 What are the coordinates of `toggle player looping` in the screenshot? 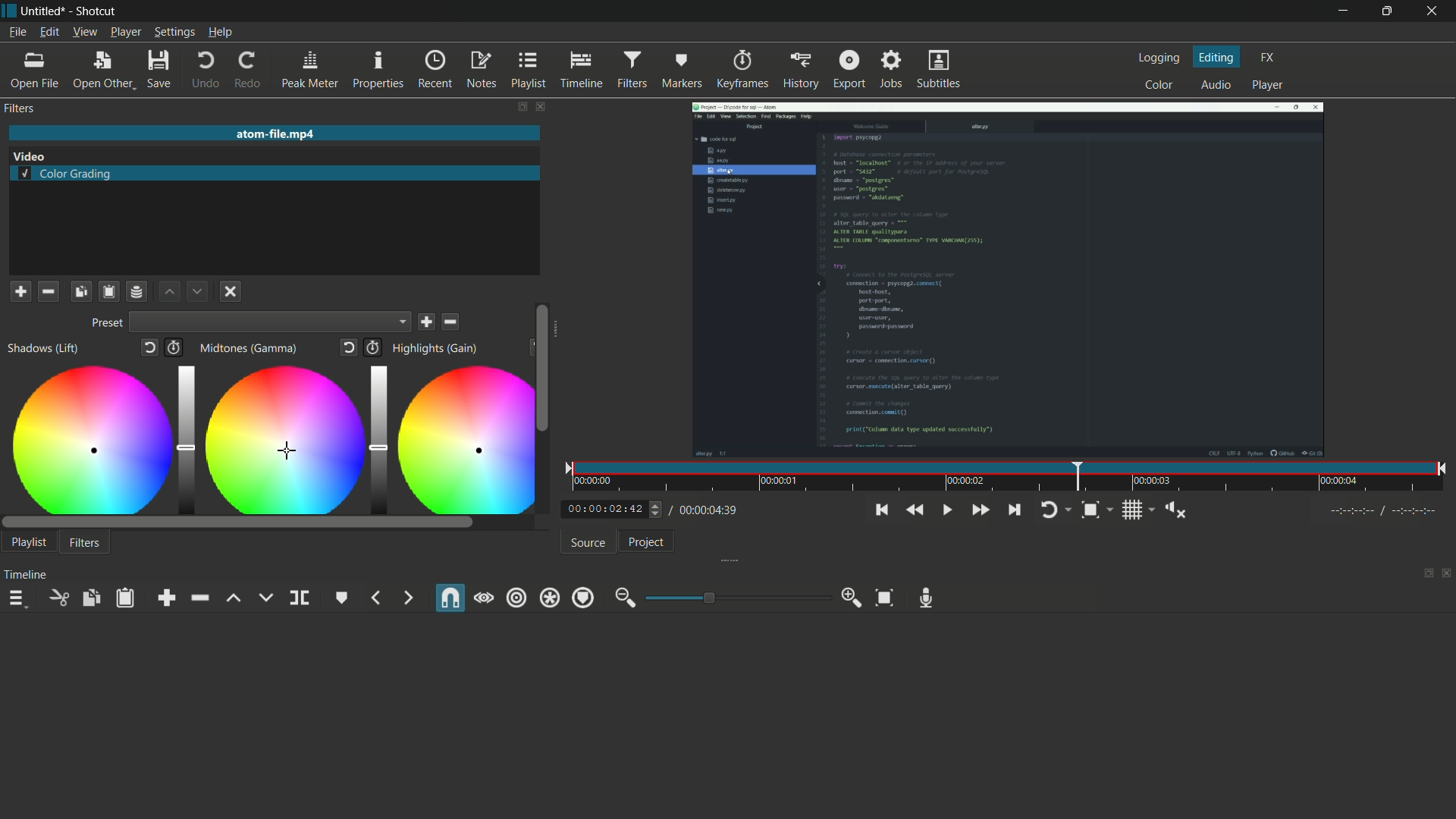 It's located at (1053, 510).